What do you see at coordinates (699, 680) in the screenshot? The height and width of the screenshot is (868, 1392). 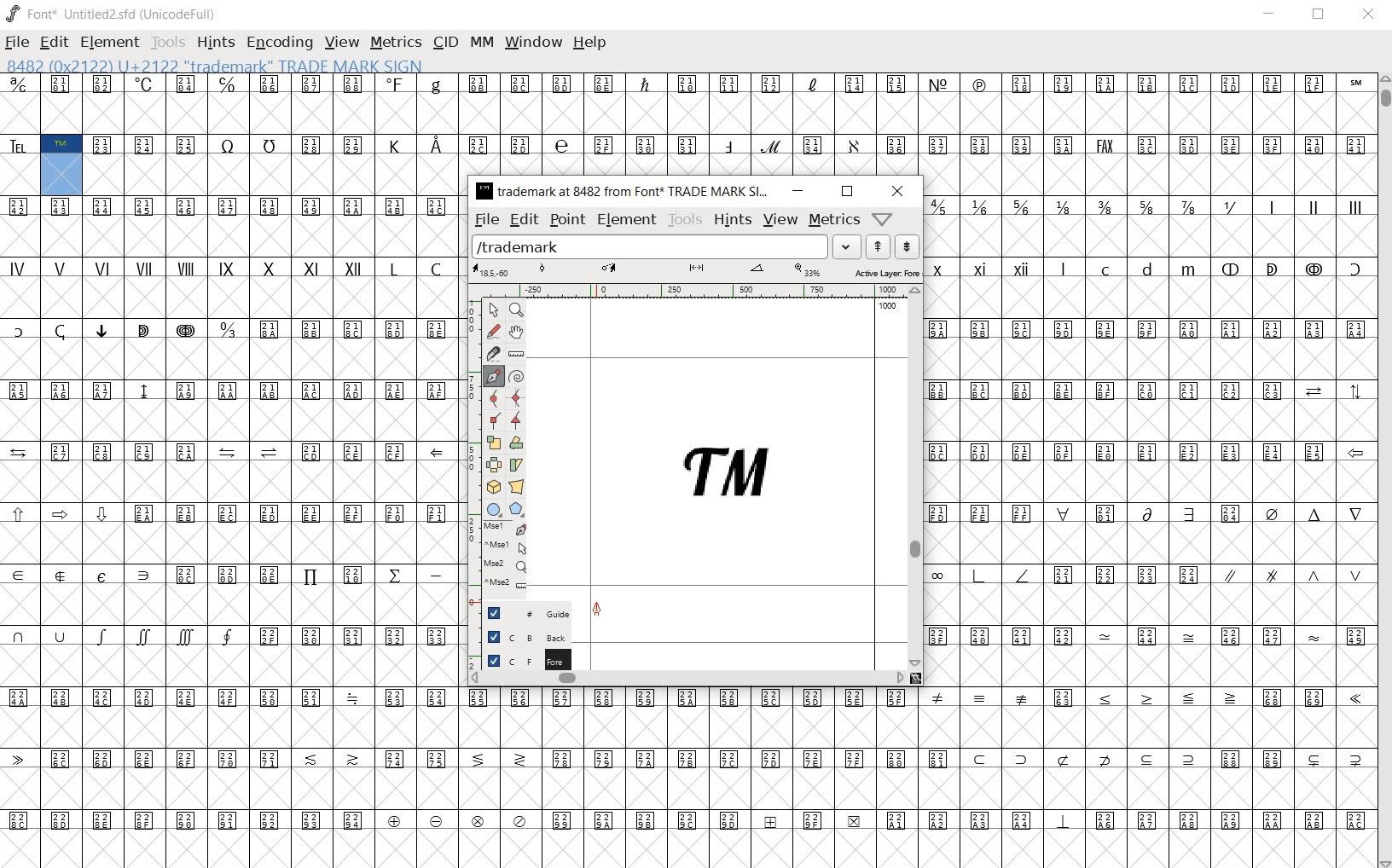 I see `scrollbar` at bounding box center [699, 680].